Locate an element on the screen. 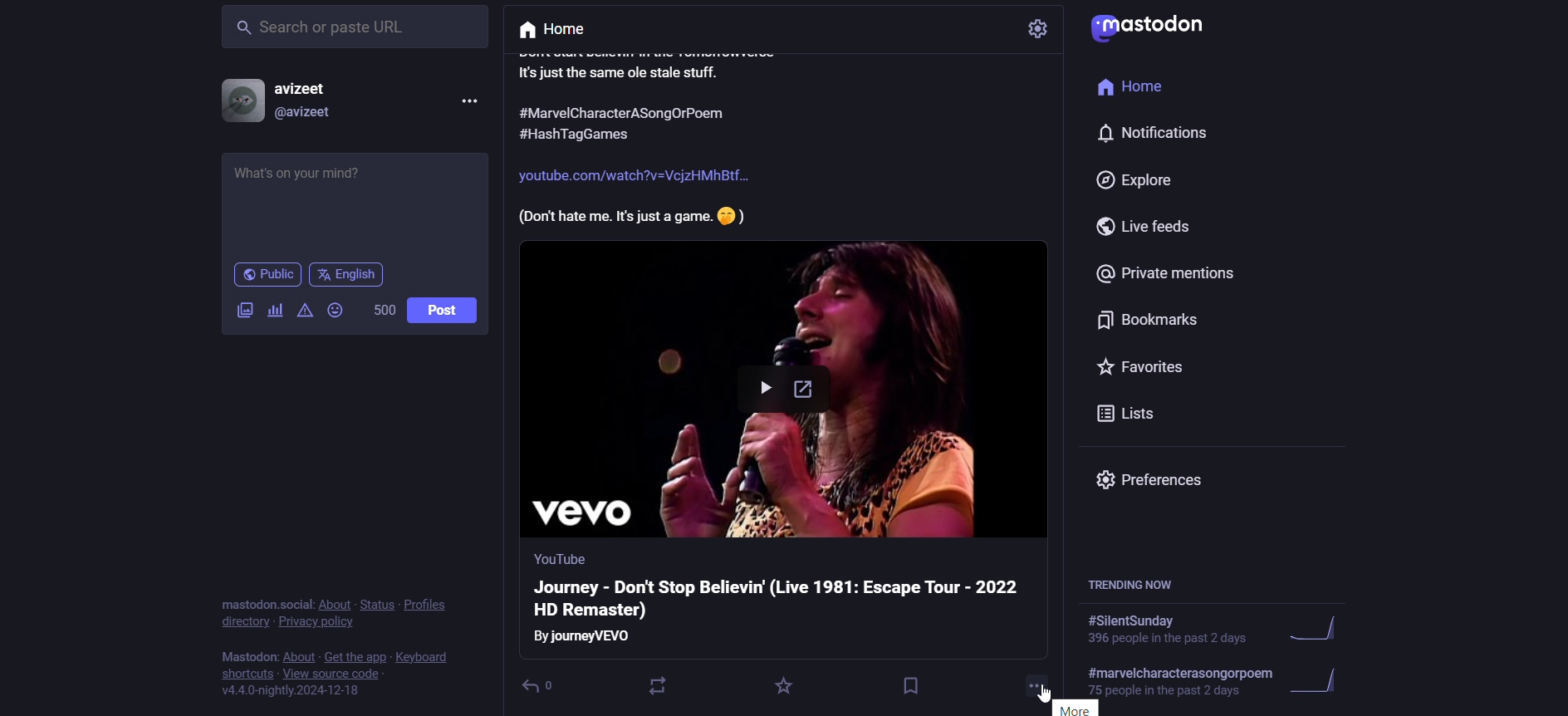 Image resolution: width=1568 pixels, height=716 pixels.  is located at coordinates (634, 177).